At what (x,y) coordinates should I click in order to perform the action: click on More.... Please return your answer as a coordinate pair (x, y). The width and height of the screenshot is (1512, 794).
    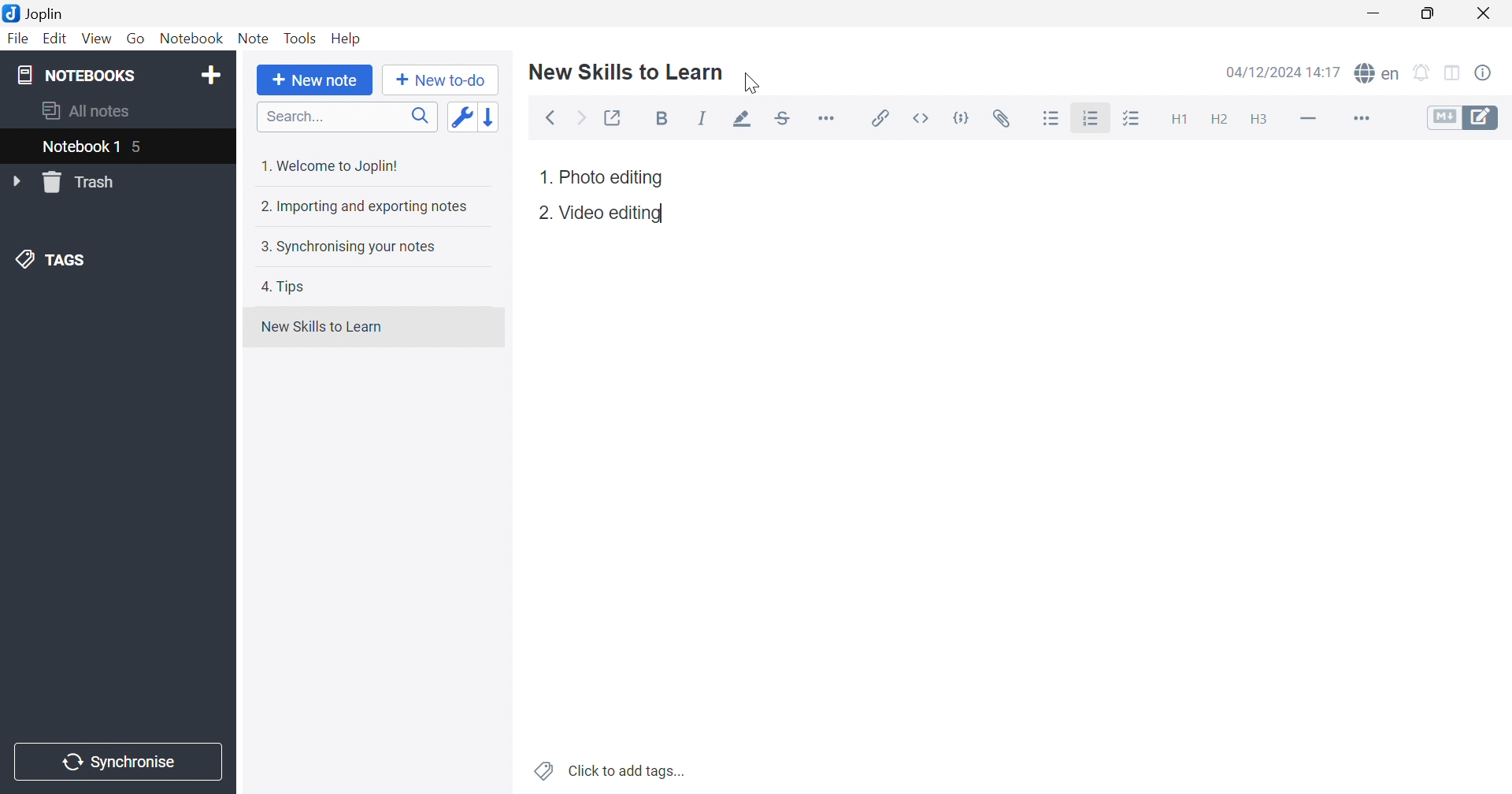
    Looking at the image, I should click on (1359, 120).